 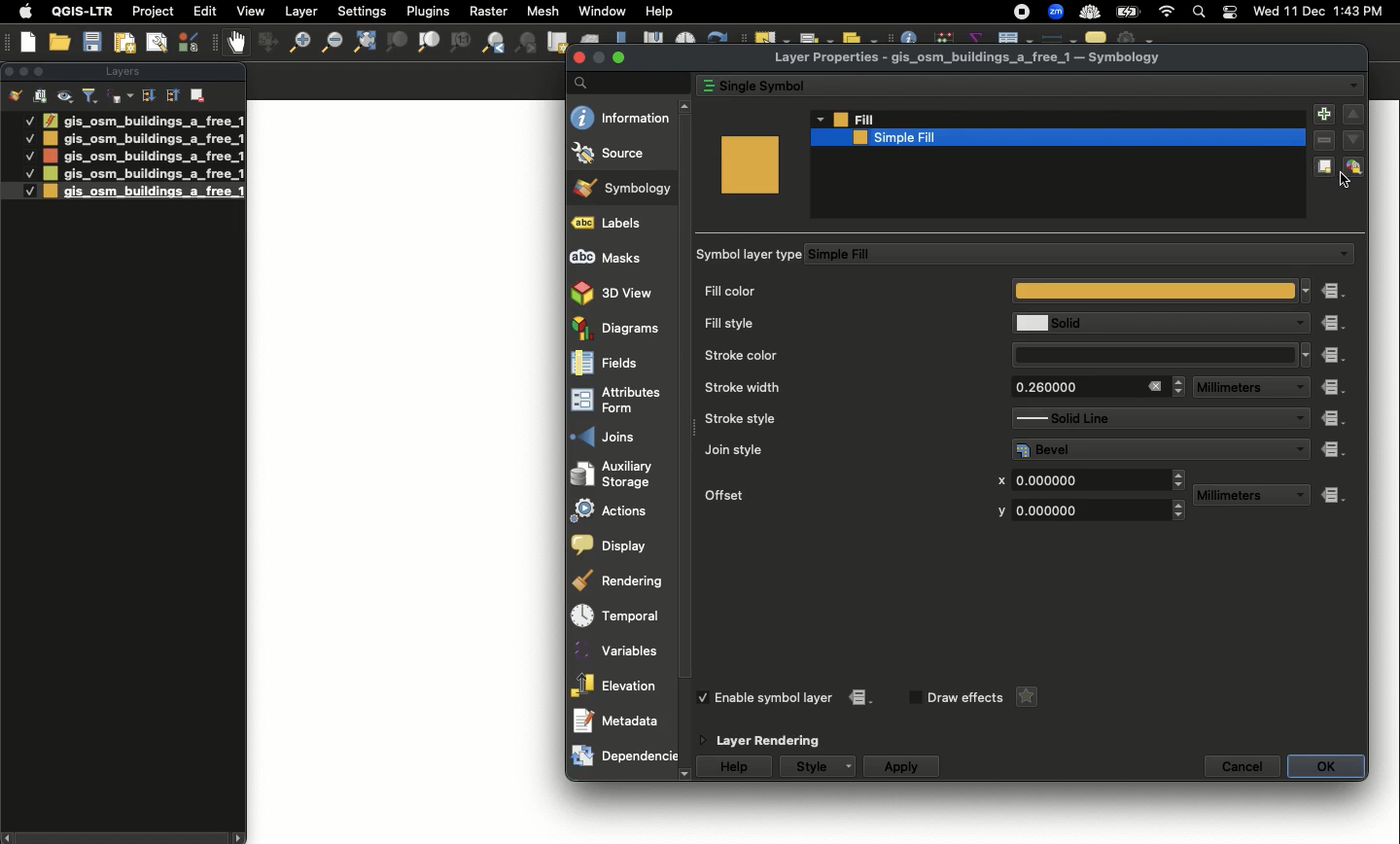 What do you see at coordinates (837, 419) in the screenshot?
I see `Stroke style` at bounding box center [837, 419].